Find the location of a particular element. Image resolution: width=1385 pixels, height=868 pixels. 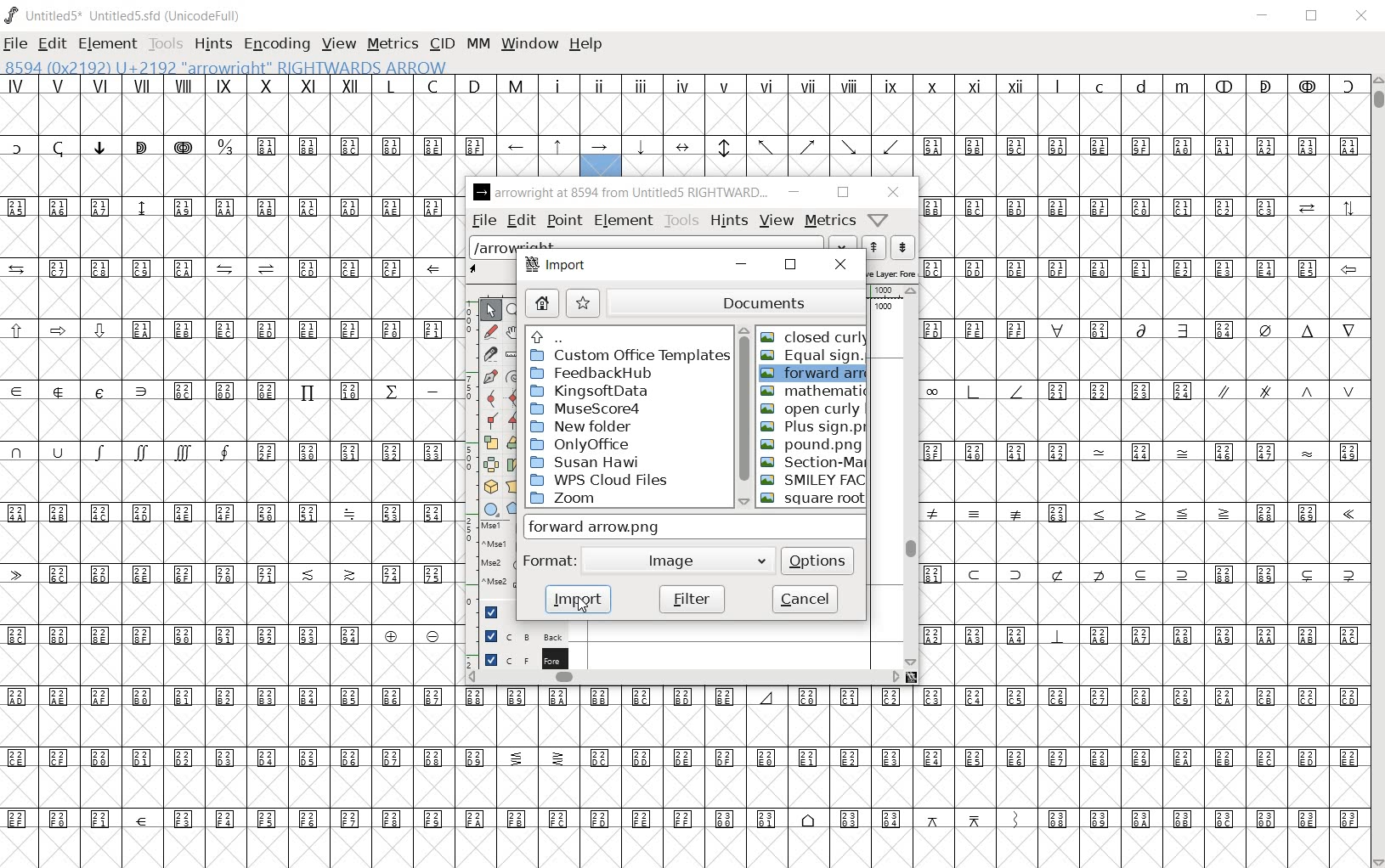

options is located at coordinates (818, 559).